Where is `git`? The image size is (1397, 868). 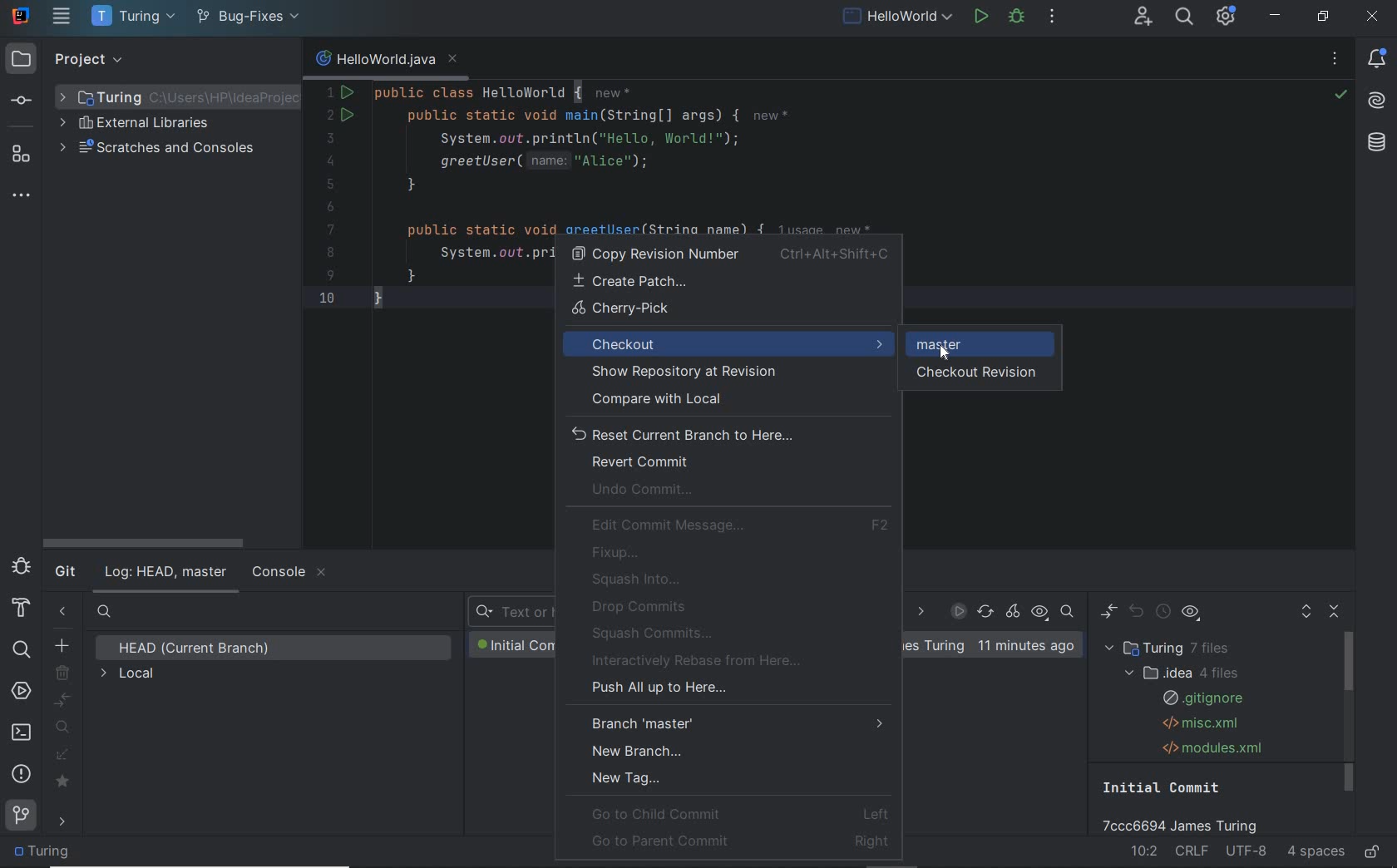
git is located at coordinates (22, 819).